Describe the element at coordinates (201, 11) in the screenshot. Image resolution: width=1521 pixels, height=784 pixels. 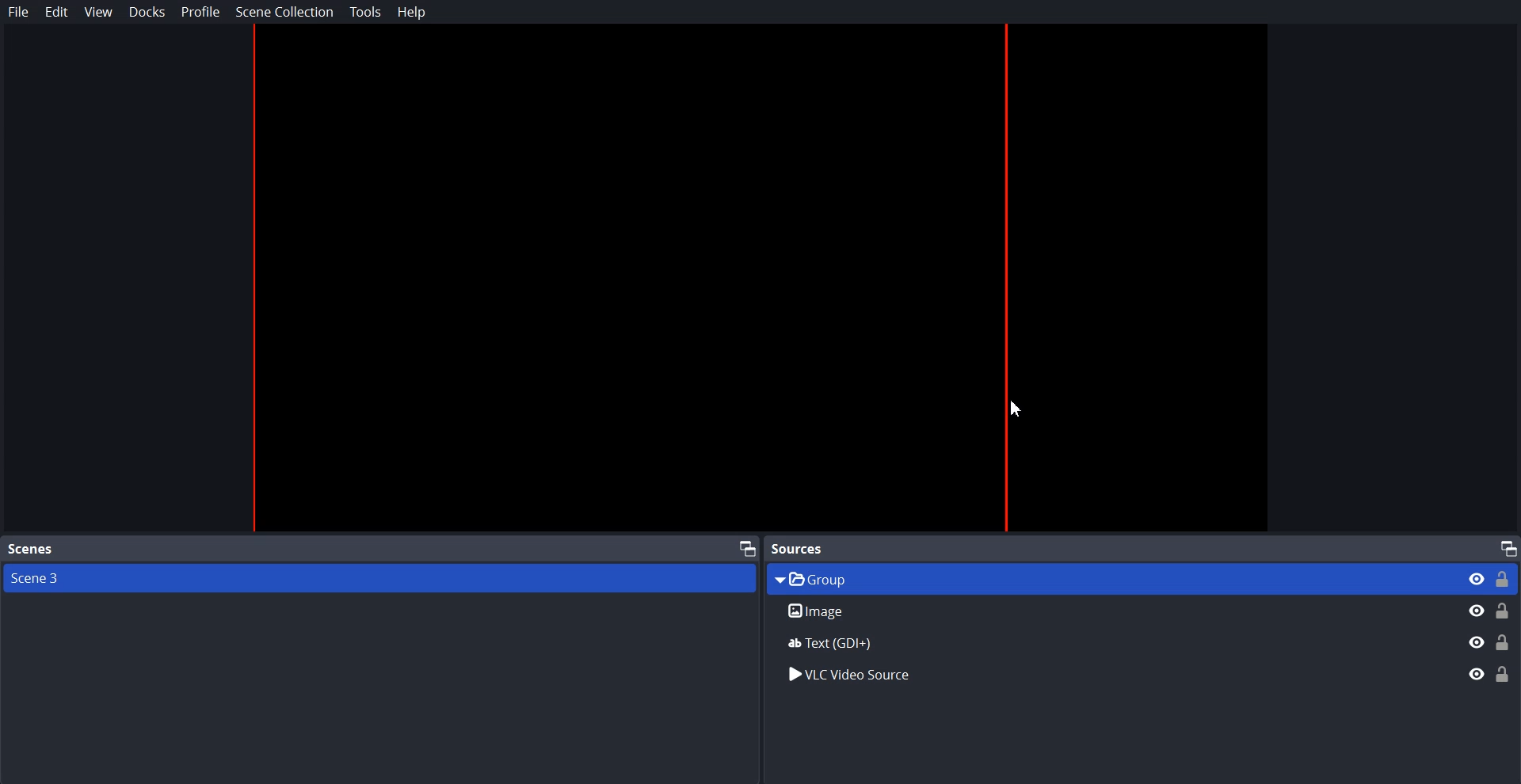
I see `Profile` at that location.